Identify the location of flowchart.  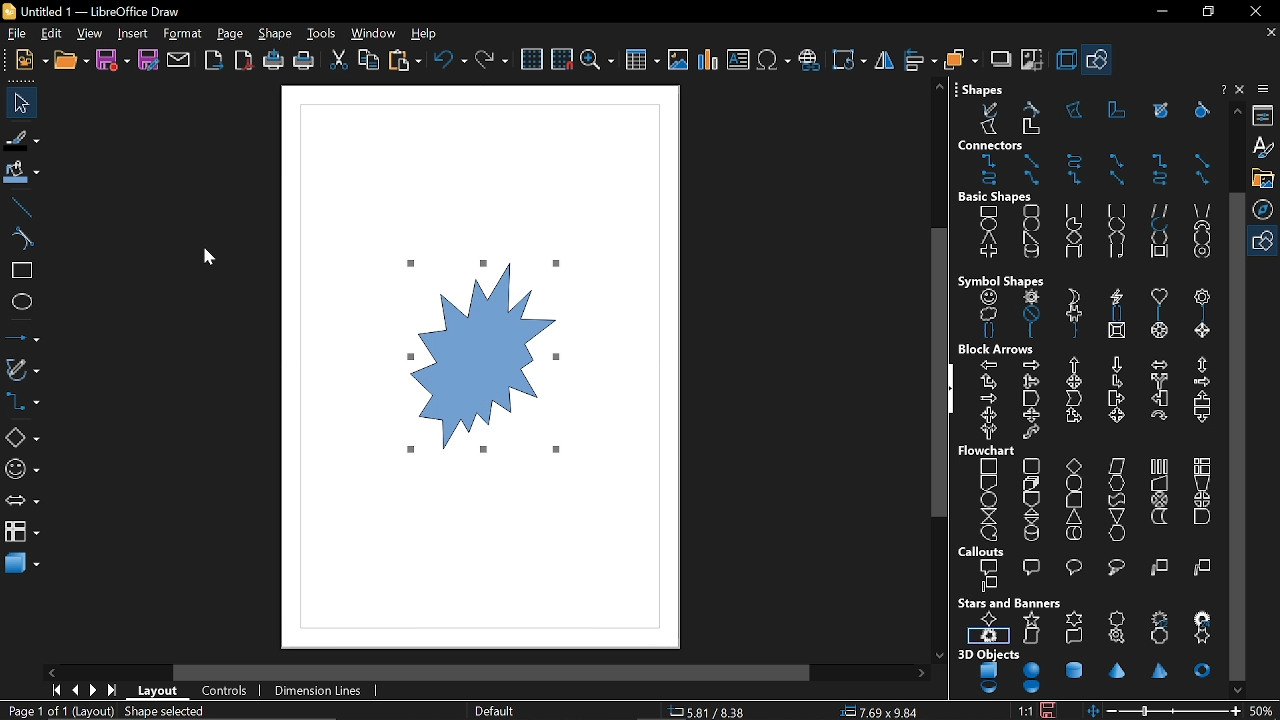
(22, 532).